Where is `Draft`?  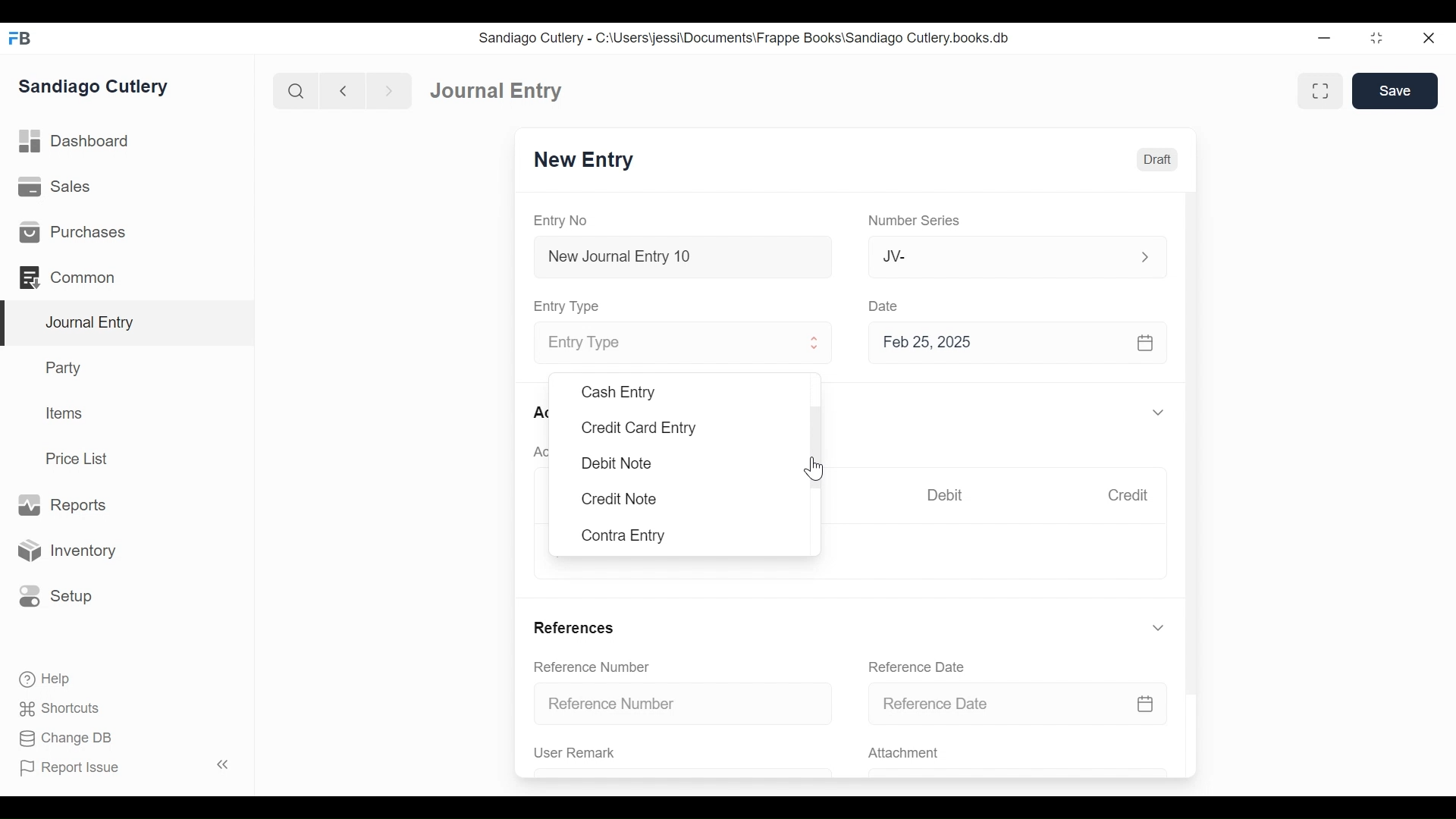
Draft is located at coordinates (1158, 160).